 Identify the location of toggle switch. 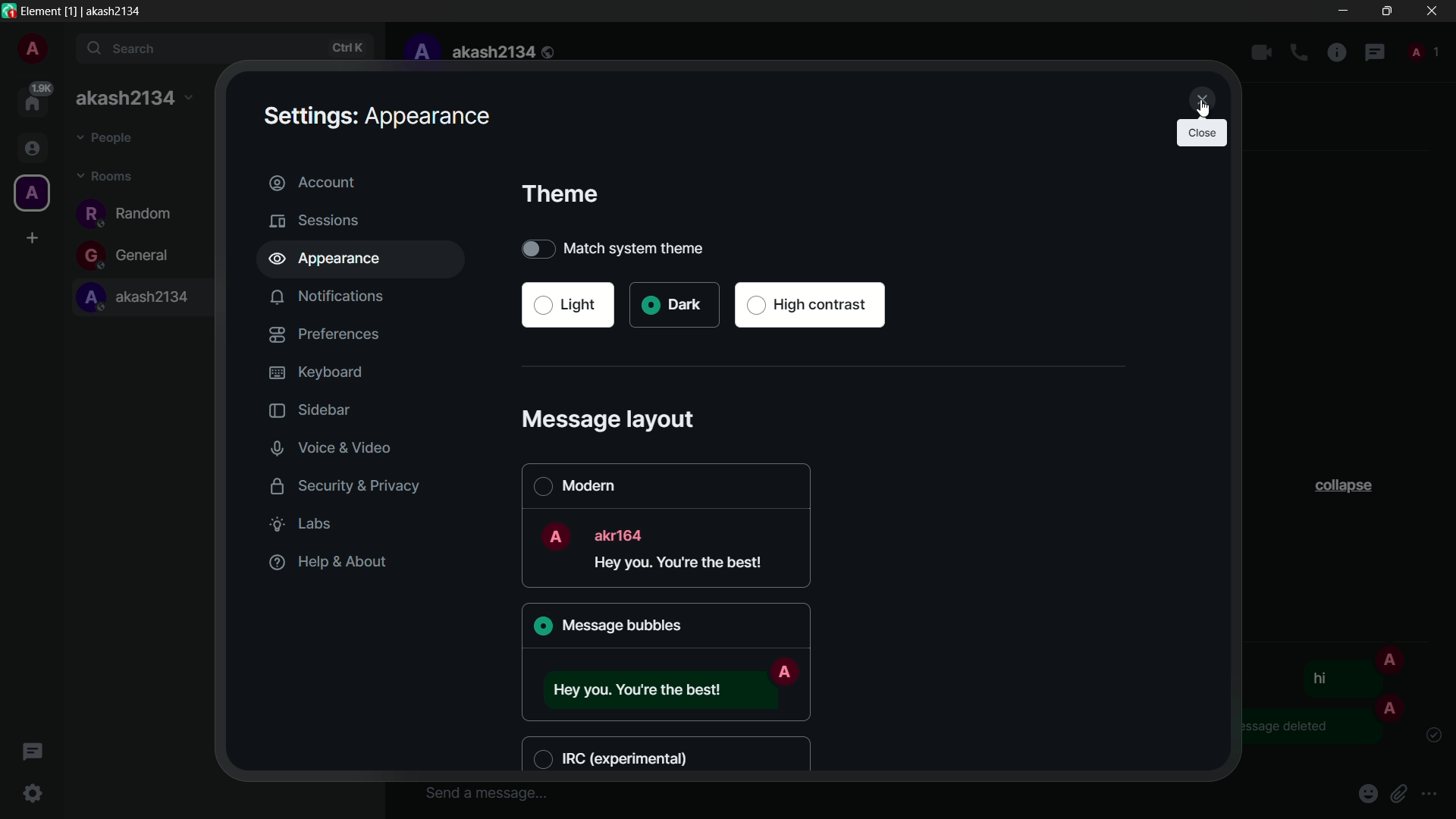
(536, 248).